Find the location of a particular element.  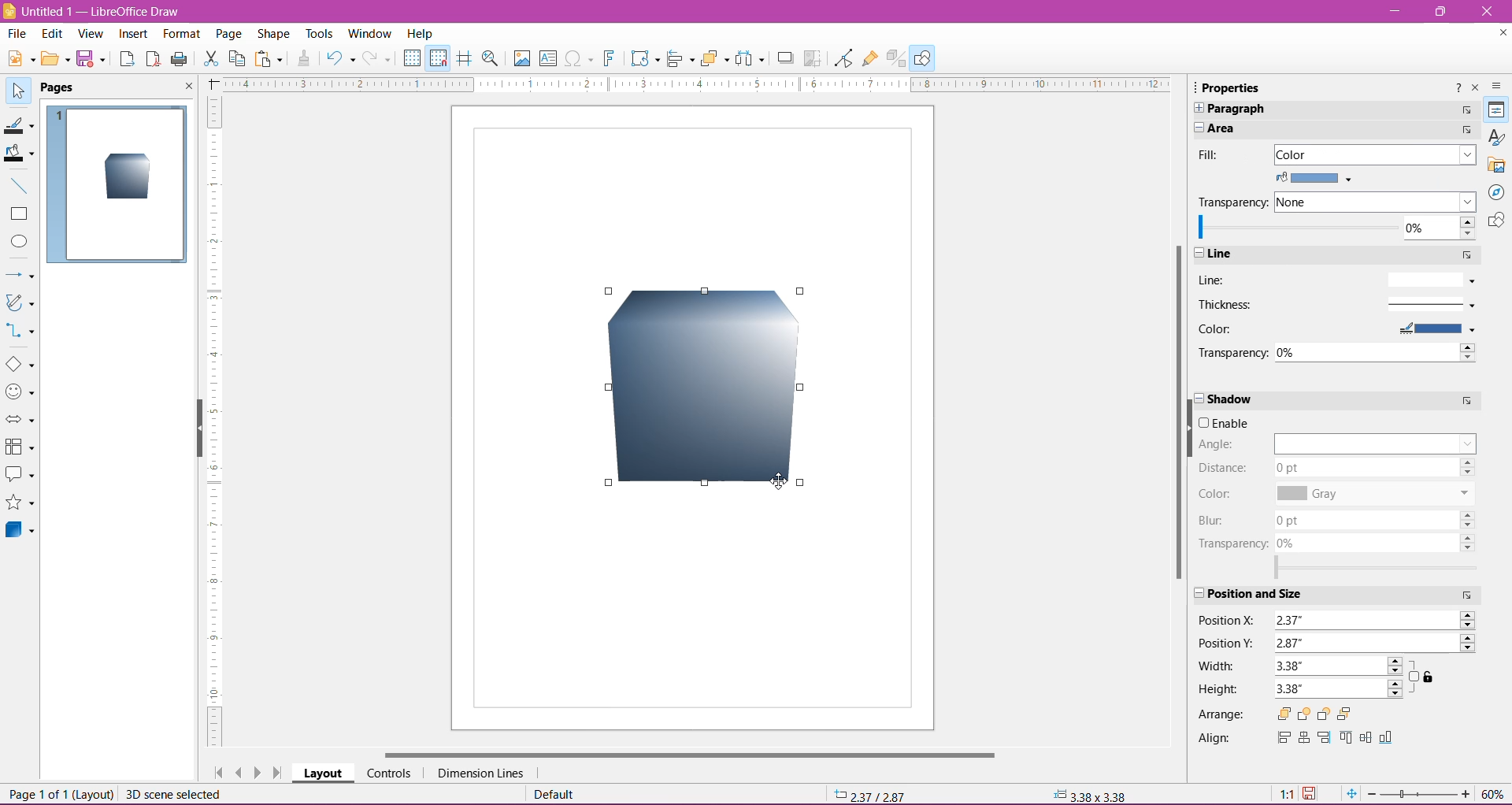

Page is located at coordinates (67, 88).